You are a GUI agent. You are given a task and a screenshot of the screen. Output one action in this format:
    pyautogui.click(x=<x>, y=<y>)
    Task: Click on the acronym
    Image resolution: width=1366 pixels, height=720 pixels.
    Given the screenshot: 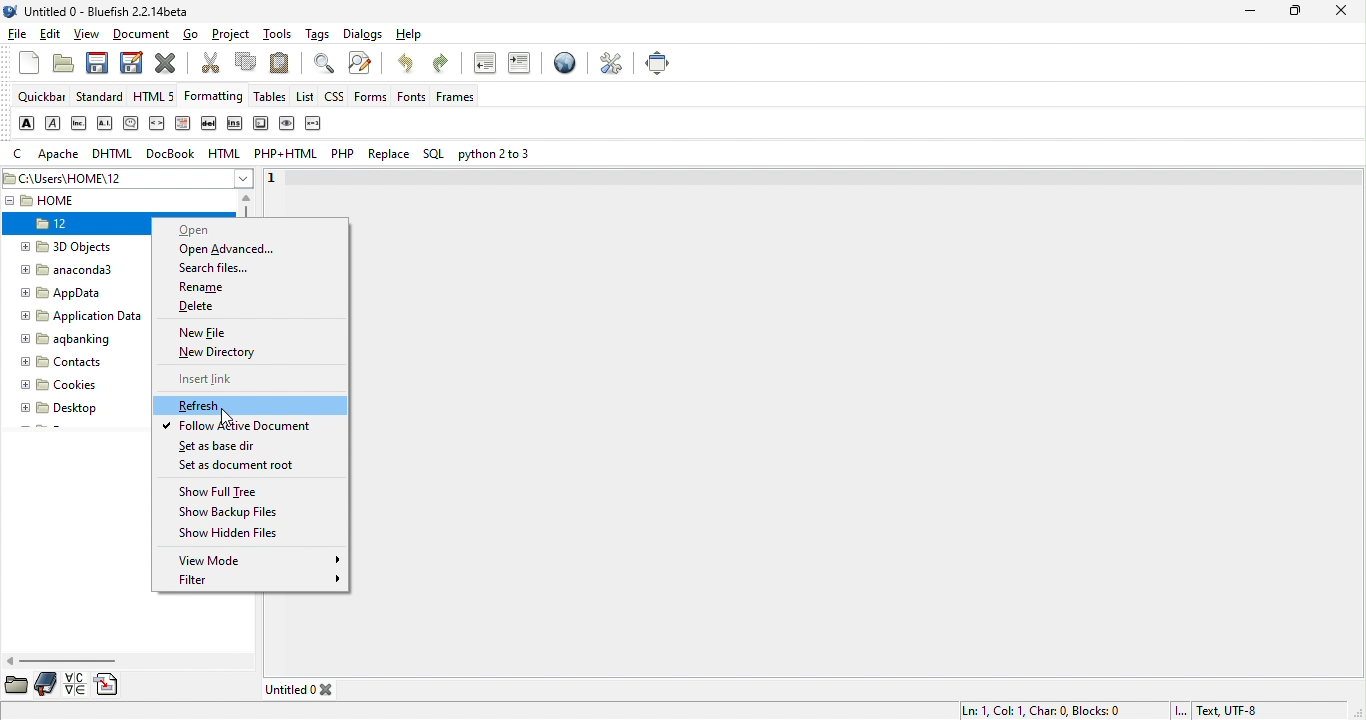 What is the action you would take?
    pyautogui.click(x=105, y=125)
    